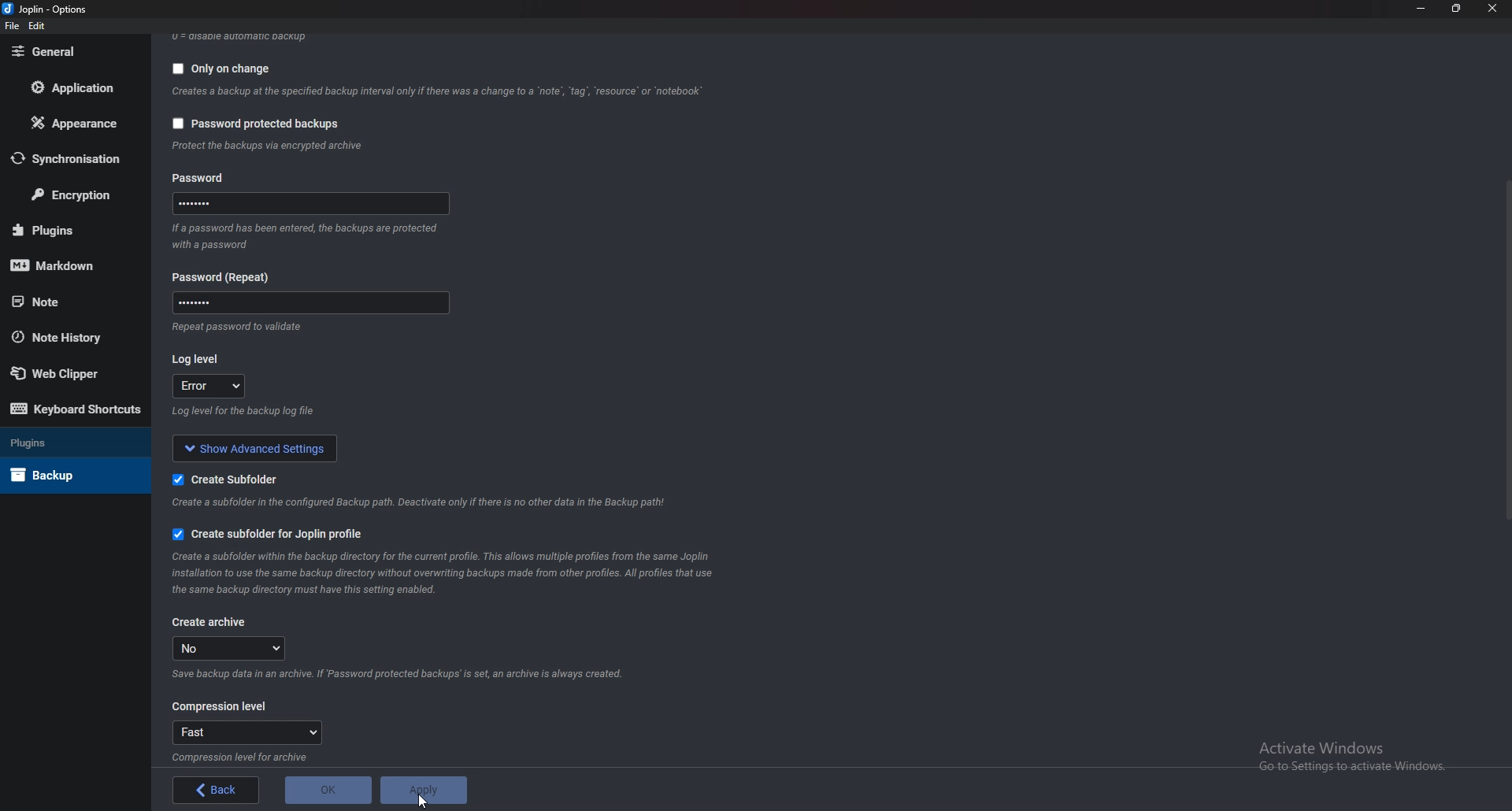 The image size is (1512, 811). I want to click on create archive, so click(210, 625).